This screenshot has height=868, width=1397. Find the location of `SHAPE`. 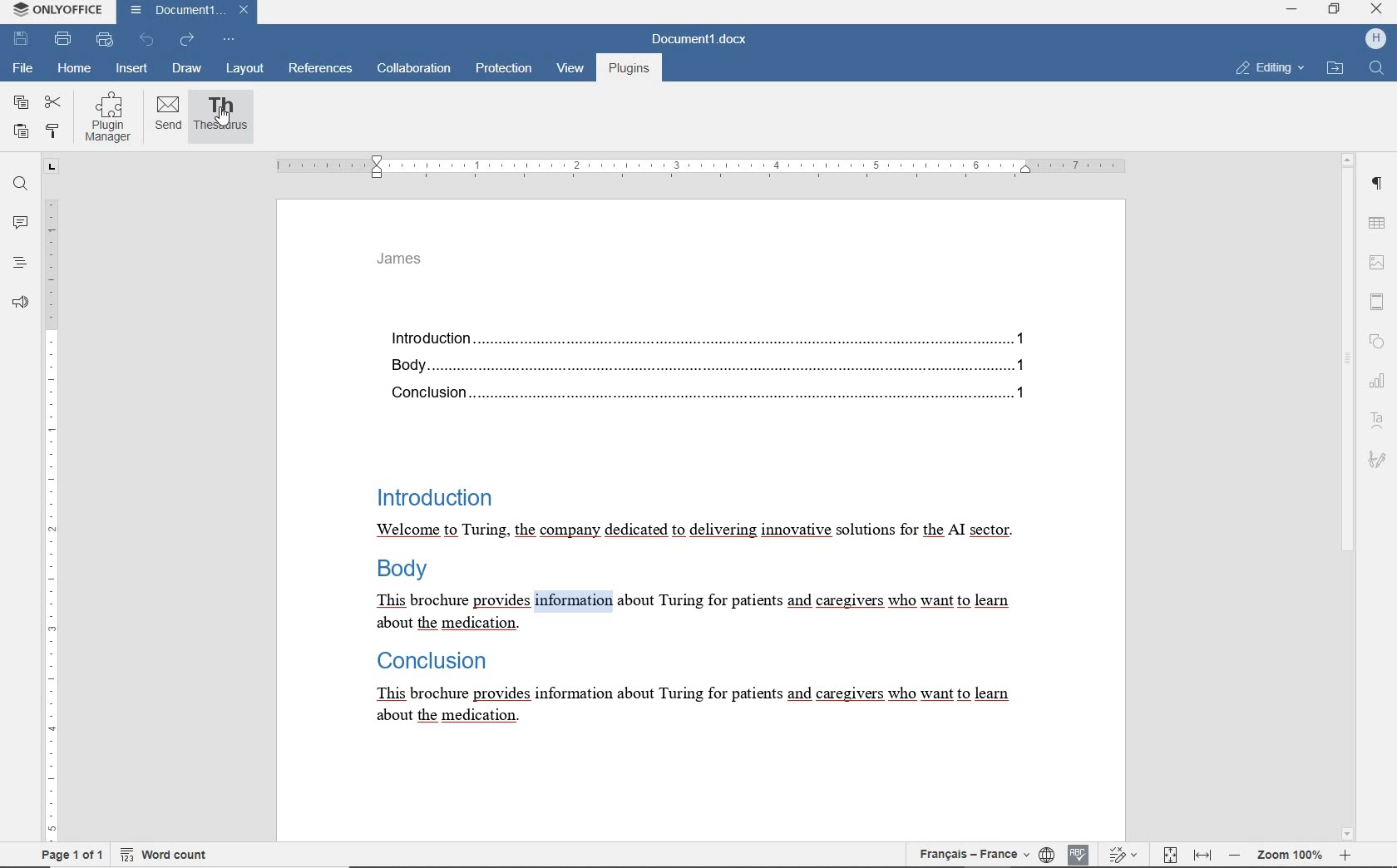

SHAPE is located at coordinates (1375, 340).